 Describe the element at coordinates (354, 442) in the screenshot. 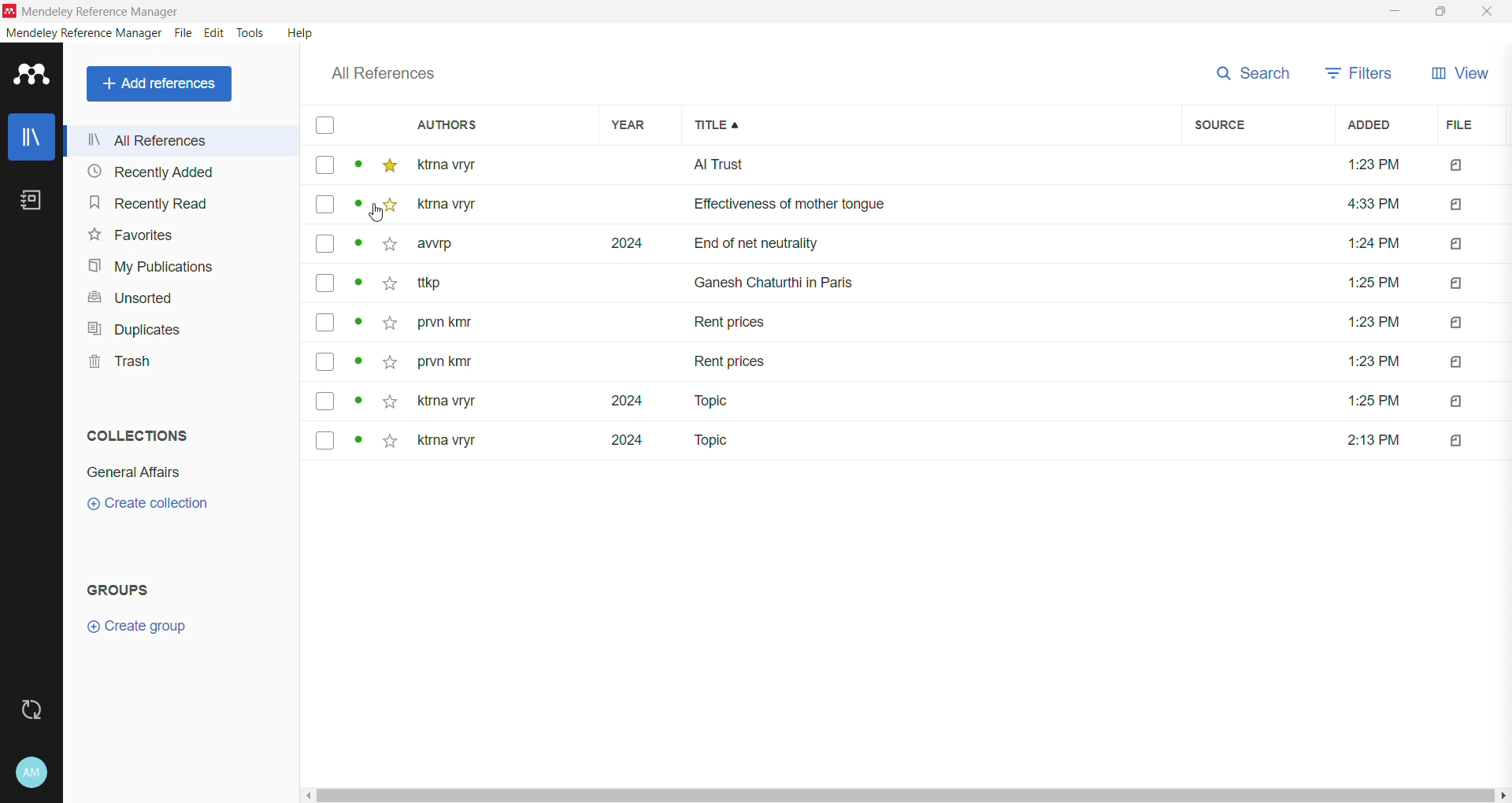

I see `dot ` at that location.